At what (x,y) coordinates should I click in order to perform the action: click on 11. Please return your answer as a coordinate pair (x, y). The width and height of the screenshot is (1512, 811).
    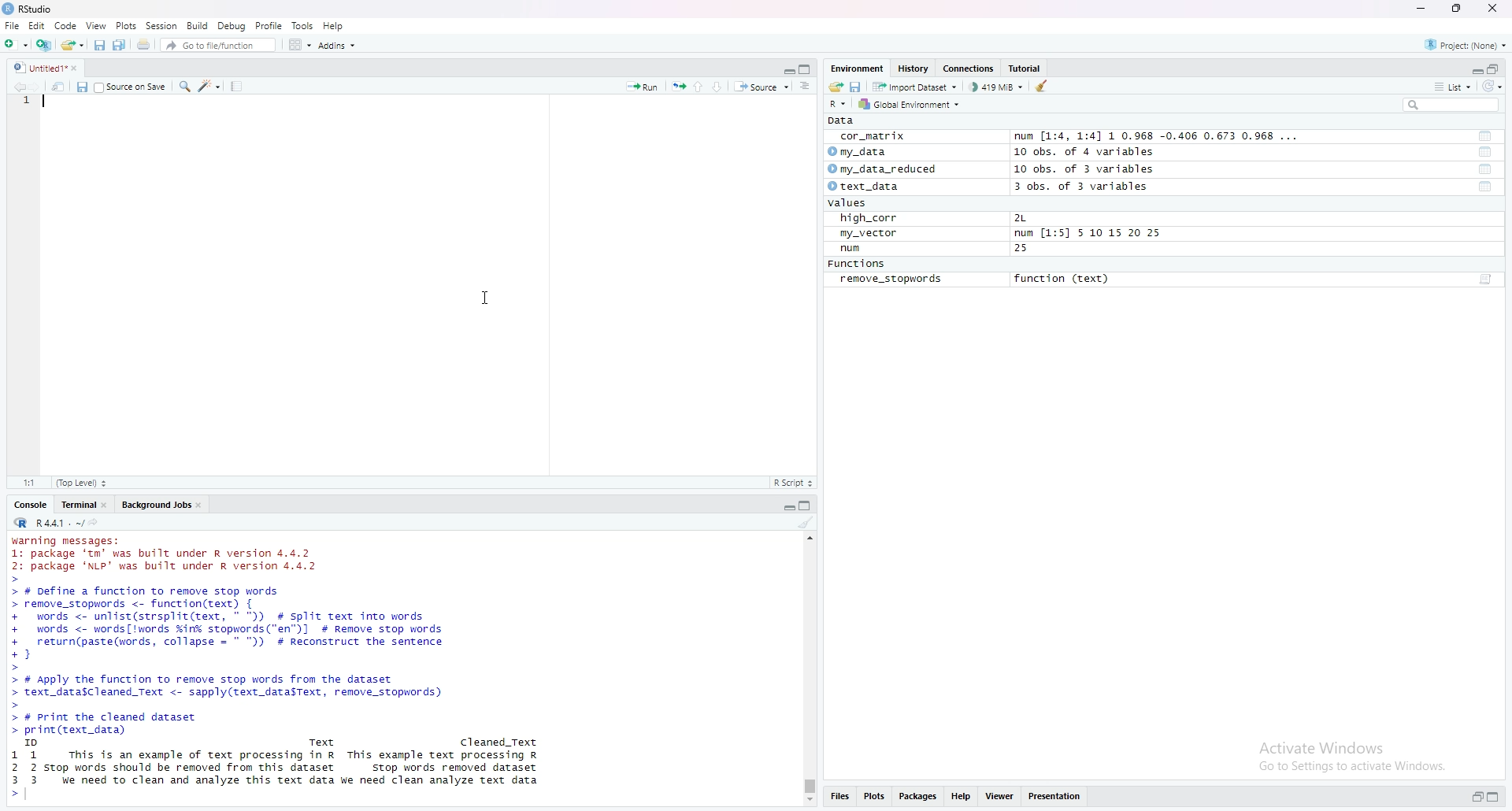
    Looking at the image, I should click on (28, 483).